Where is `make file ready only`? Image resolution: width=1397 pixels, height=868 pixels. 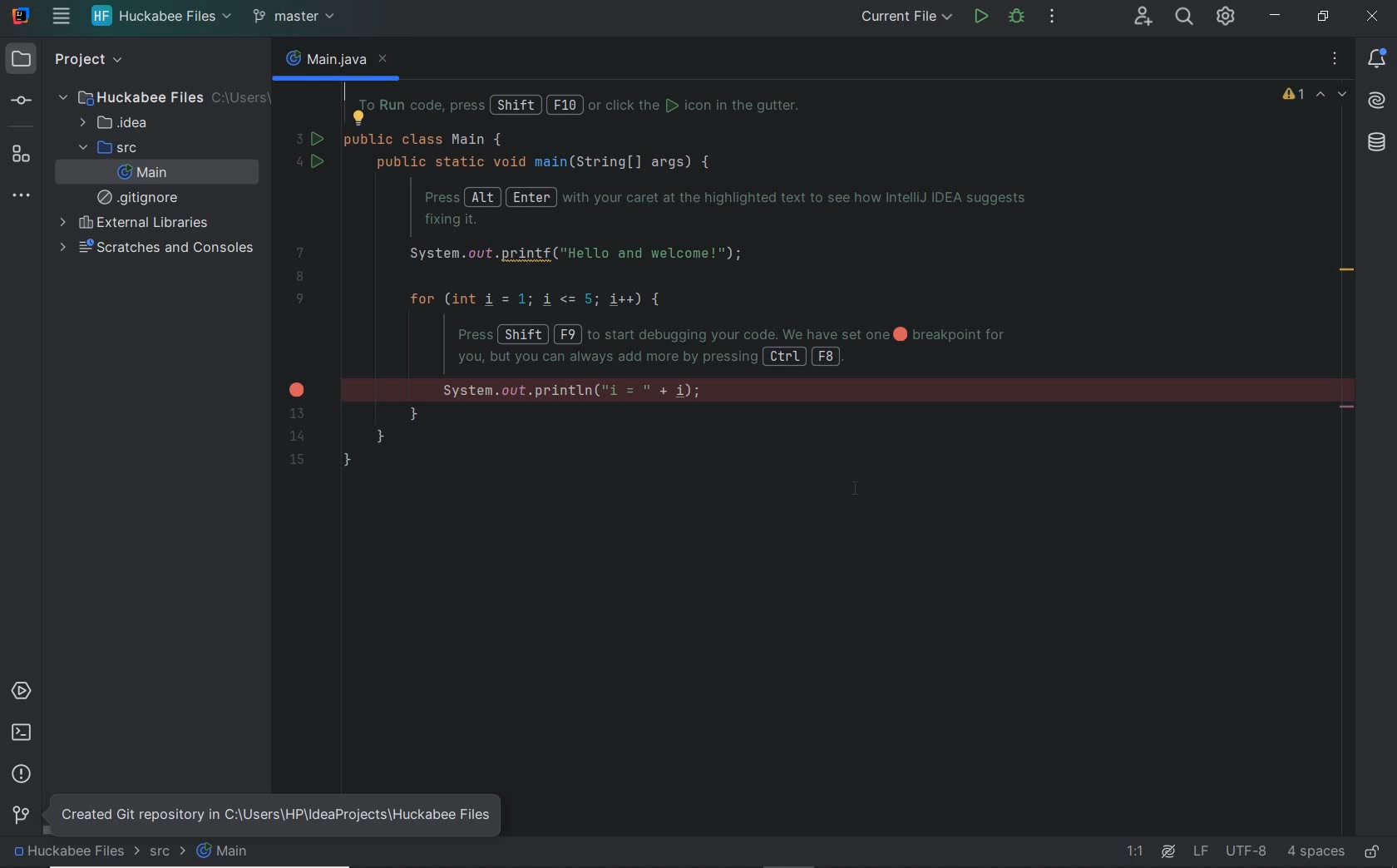 make file ready only is located at coordinates (1370, 851).